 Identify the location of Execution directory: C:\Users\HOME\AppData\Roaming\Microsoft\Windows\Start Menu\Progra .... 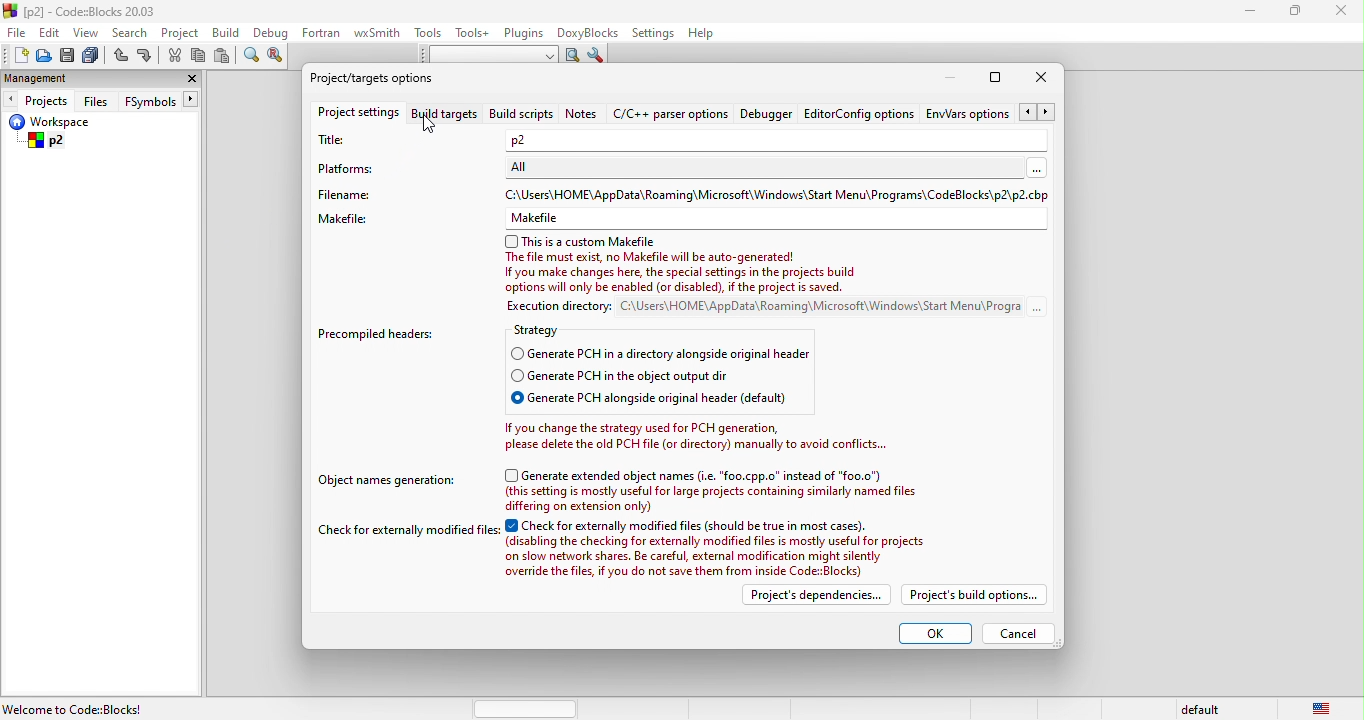
(757, 308).